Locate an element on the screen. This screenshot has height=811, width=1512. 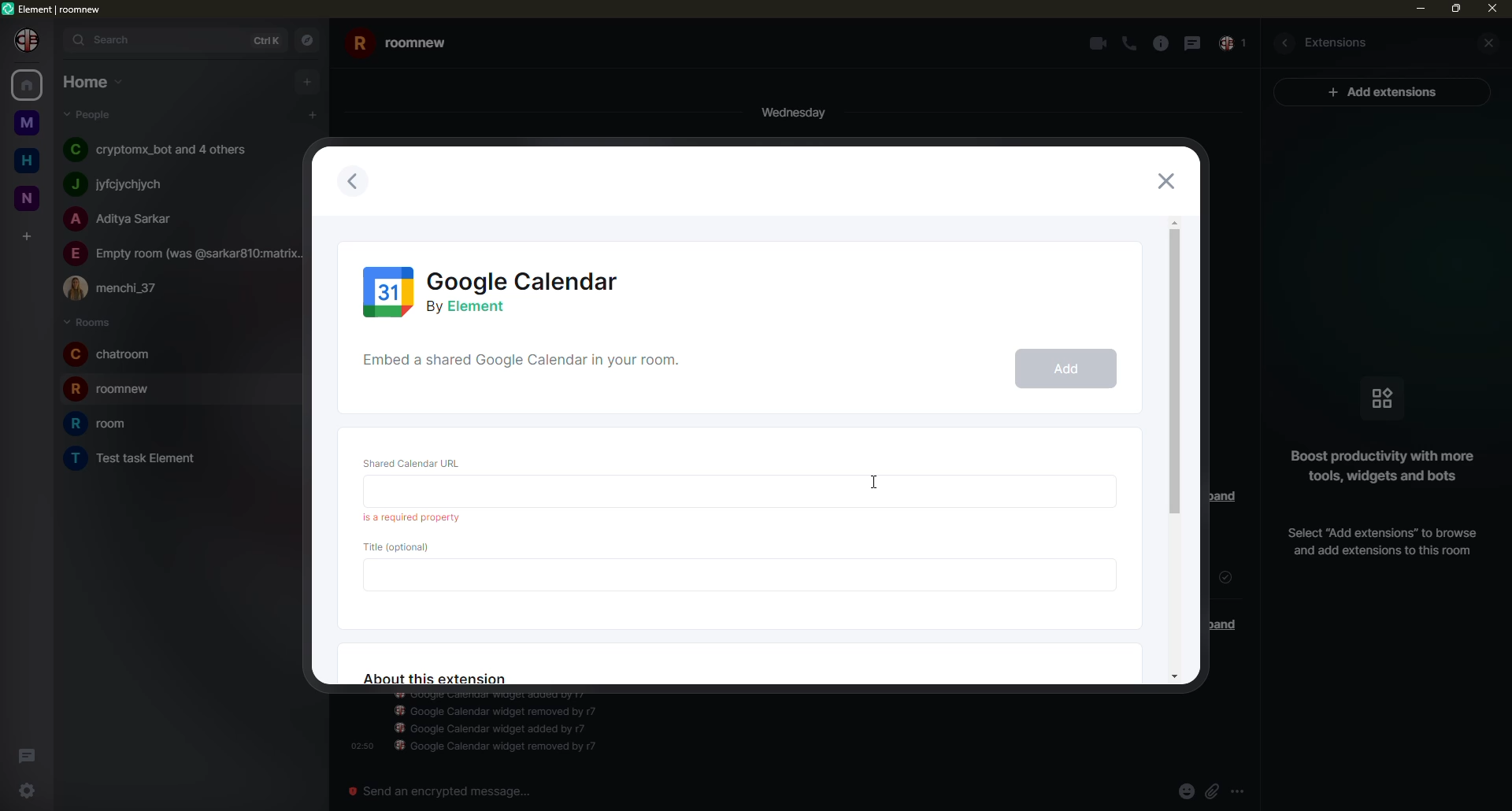
icon is located at coordinates (1379, 398).